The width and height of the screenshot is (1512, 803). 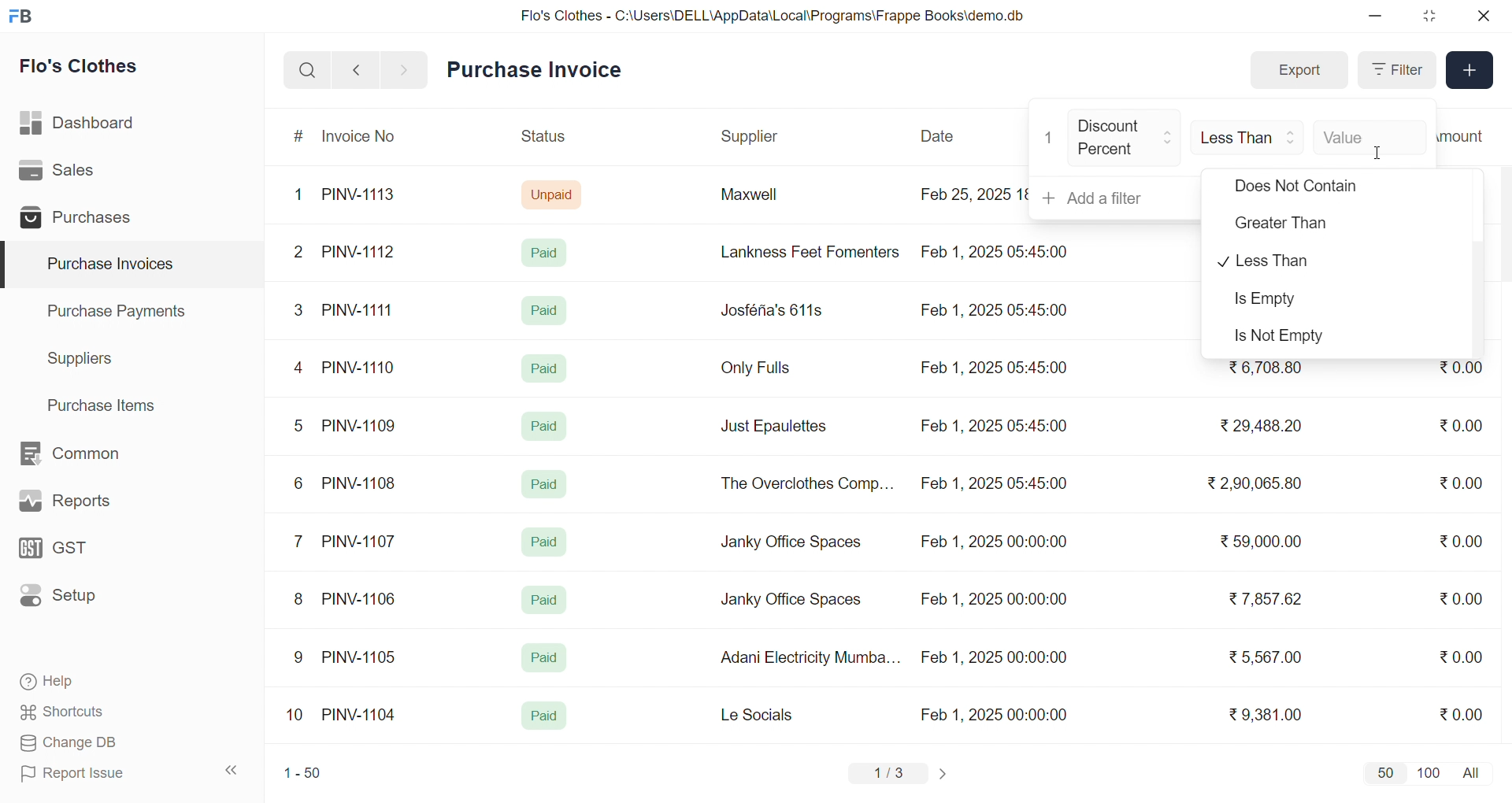 What do you see at coordinates (232, 771) in the screenshot?
I see `collapse sidebar` at bounding box center [232, 771].